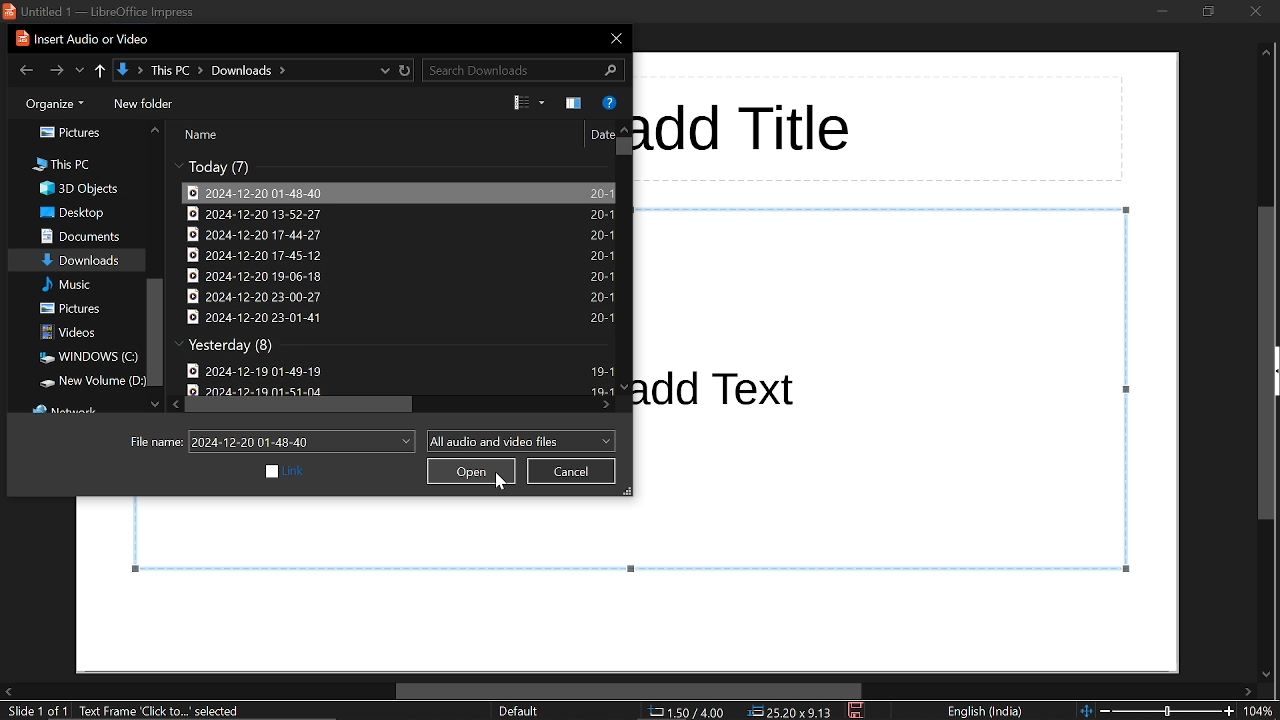 The height and width of the screenshot is (720, 1280). What do you see at coordinates (36, 712) in the screenshot?
I see `current slide` at bounding box center [36, 712].